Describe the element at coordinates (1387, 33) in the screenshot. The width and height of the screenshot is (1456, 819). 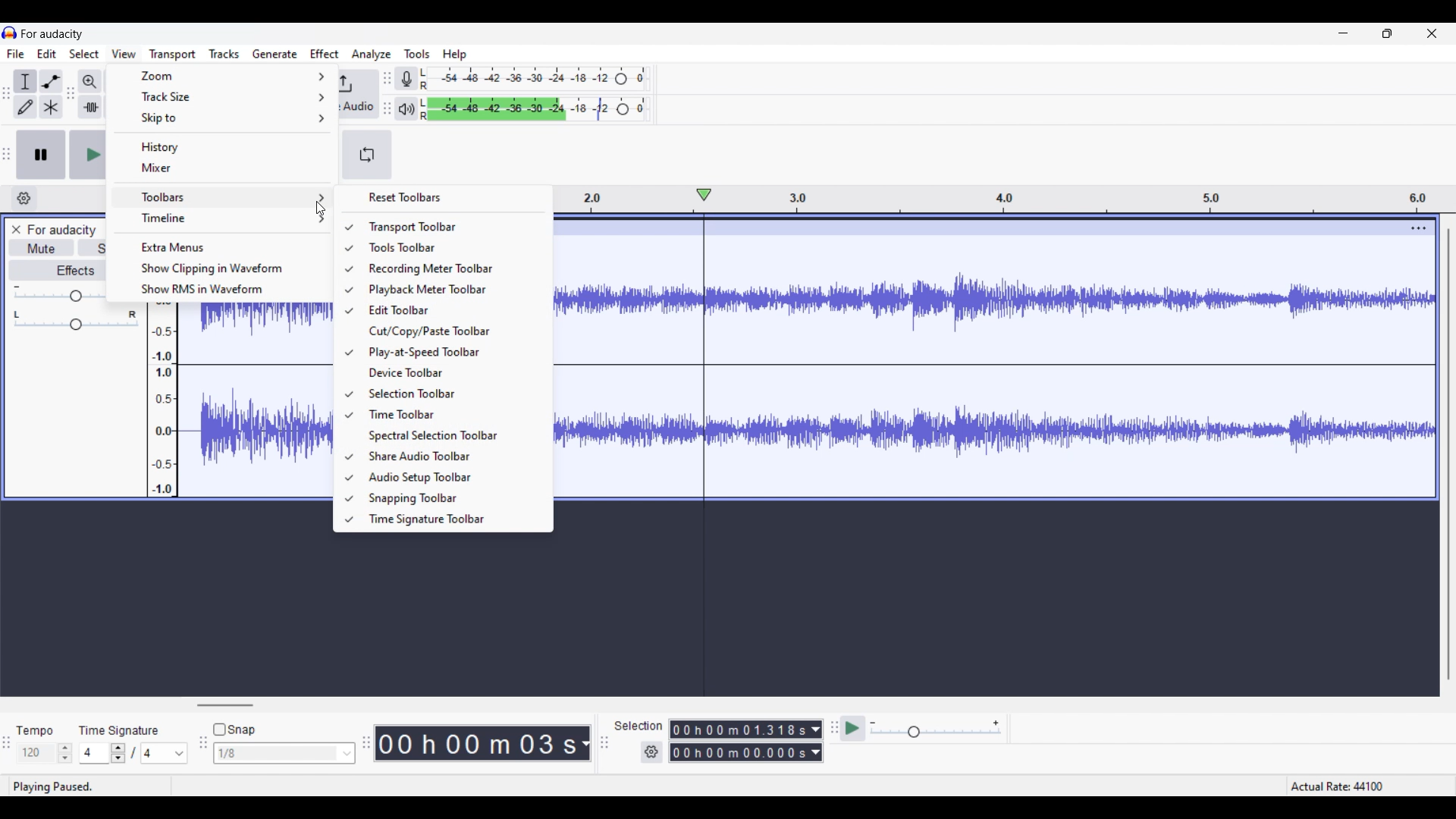
I see `Show in smaller tab` at that location.